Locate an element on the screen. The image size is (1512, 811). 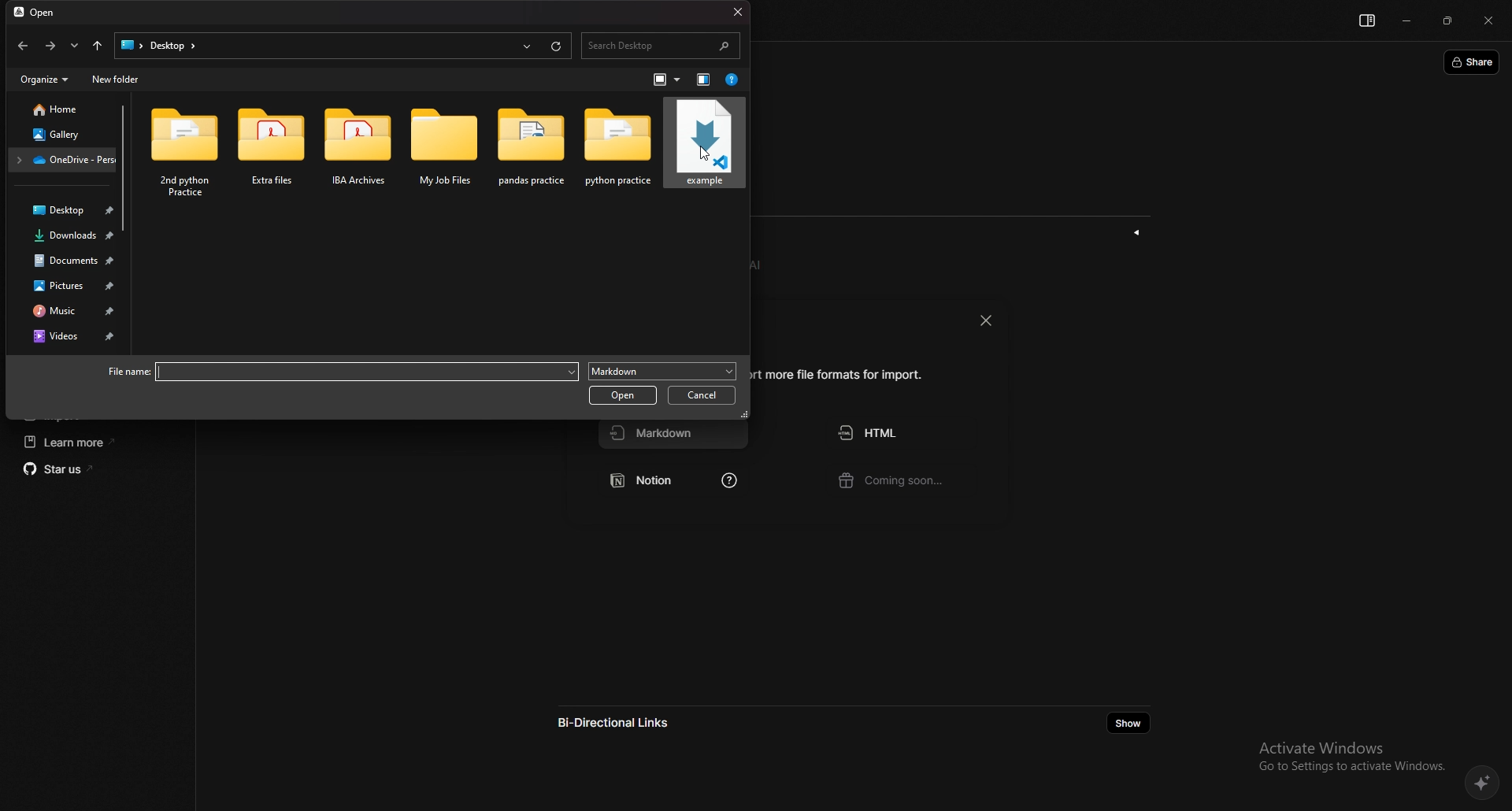
Activate Windows
Go to Settings to activate Windows. is located at coordinates (1347, 755).